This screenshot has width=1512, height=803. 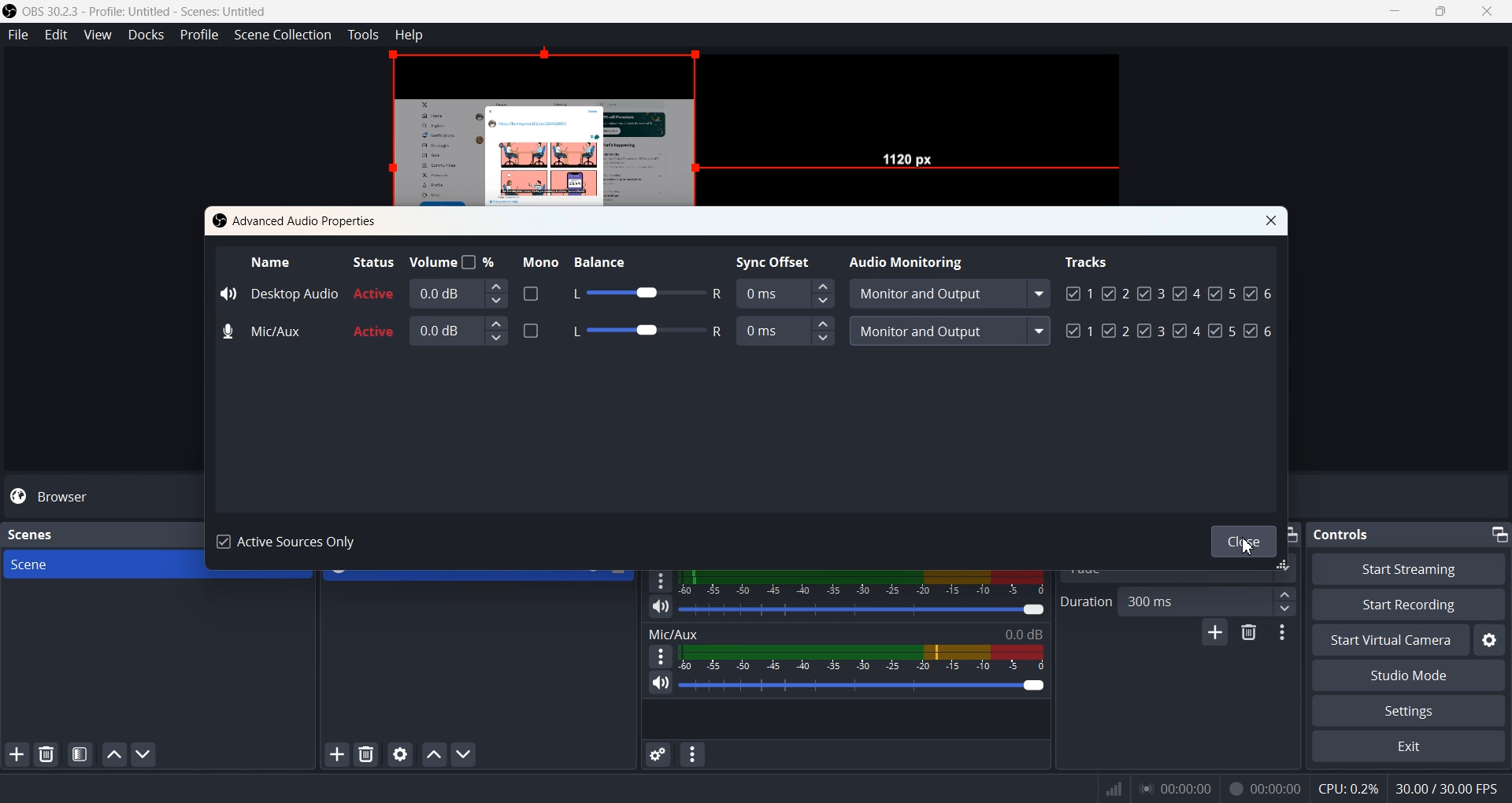 What do you see at coordinates (910, 260) in the screenshot?
I see `Audio Monitoring` at bounding box center [910, 260].